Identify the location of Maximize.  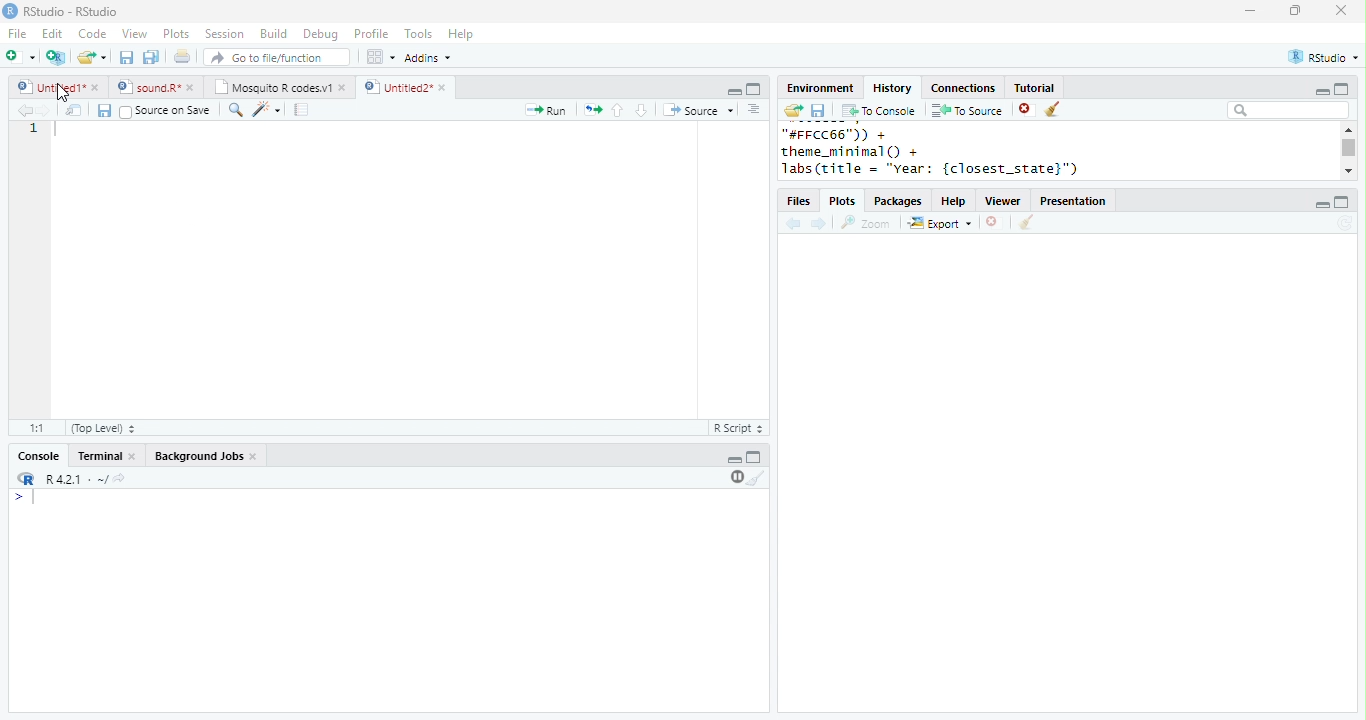
(754, 457).